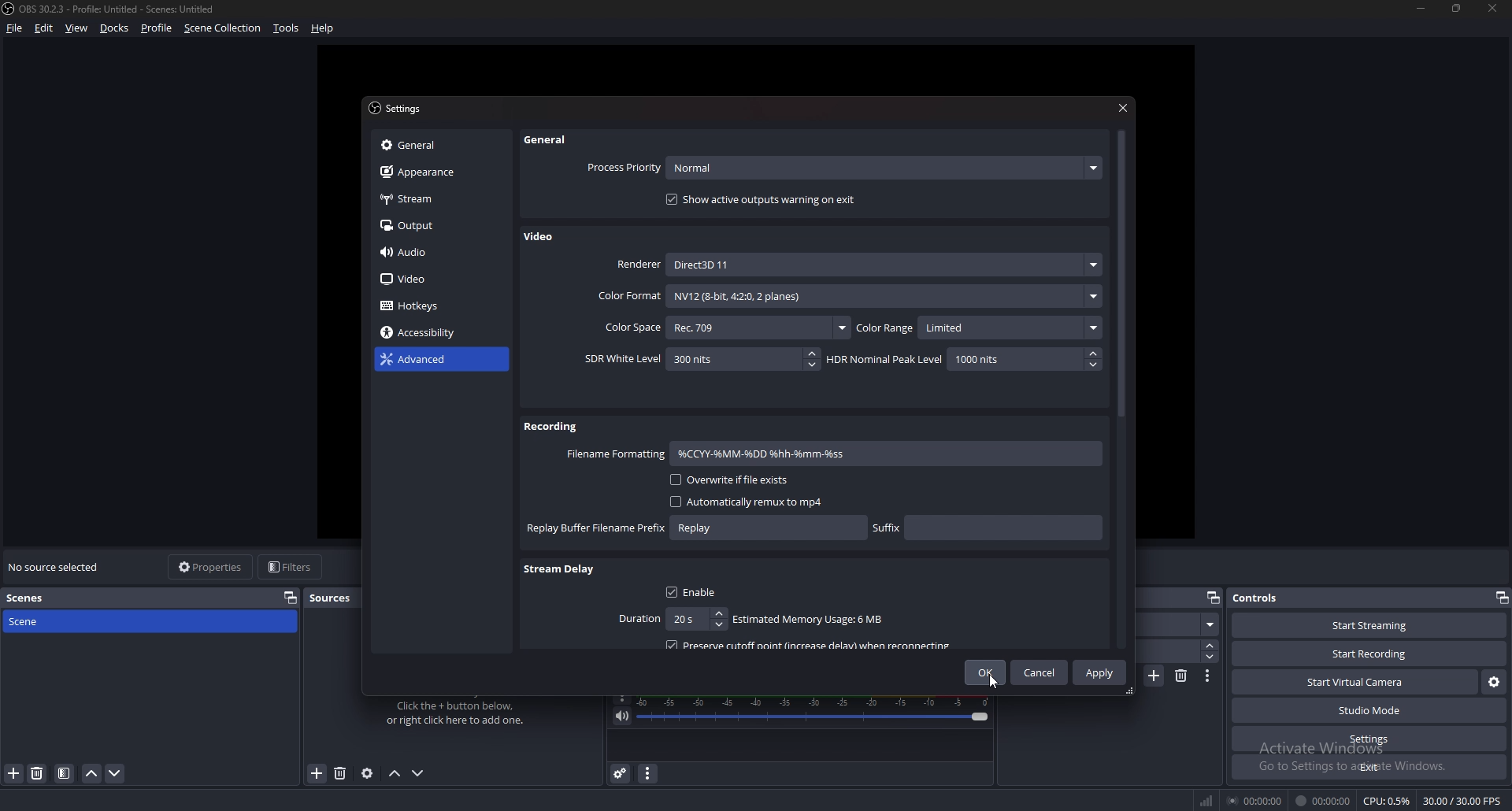 The image size is (1512, 811). I want to click on tools, so click(285, 28).